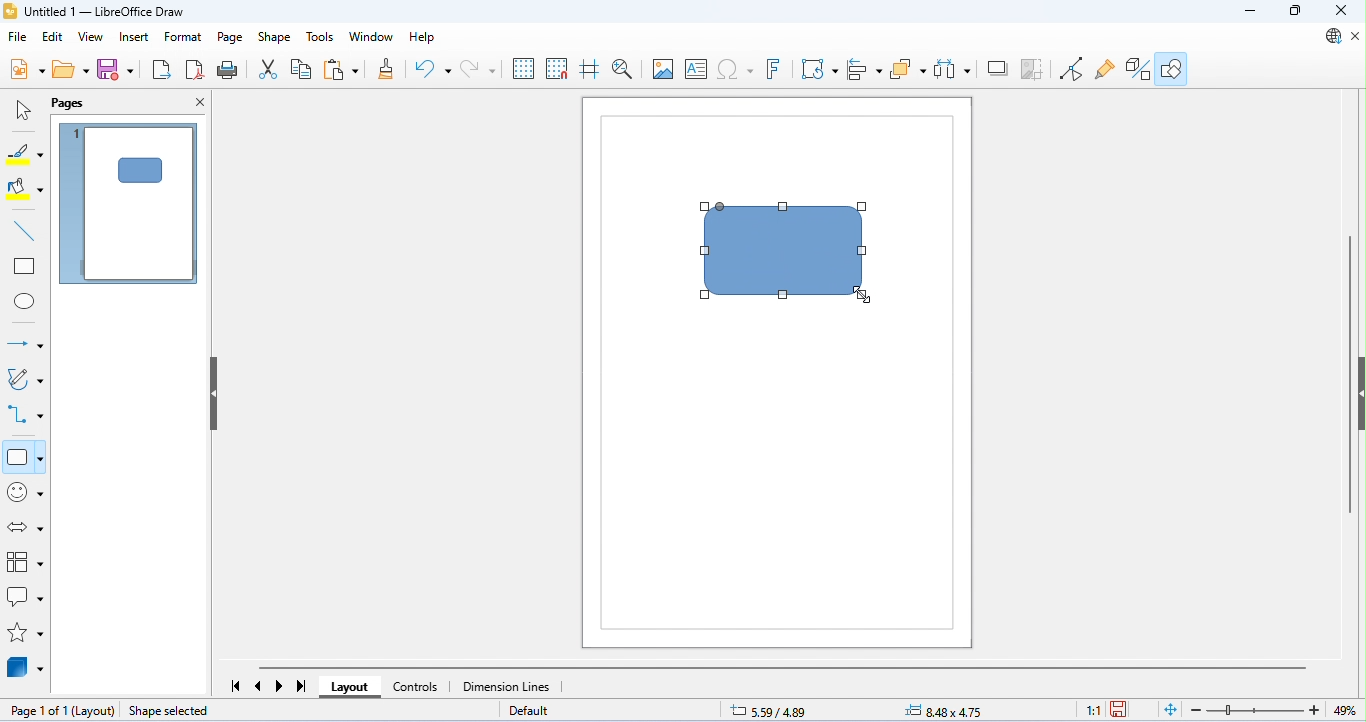  Describe the element at coordinates (139, 170) in the screenshot. I see `rounded rectangle appeared in current page` at that location.